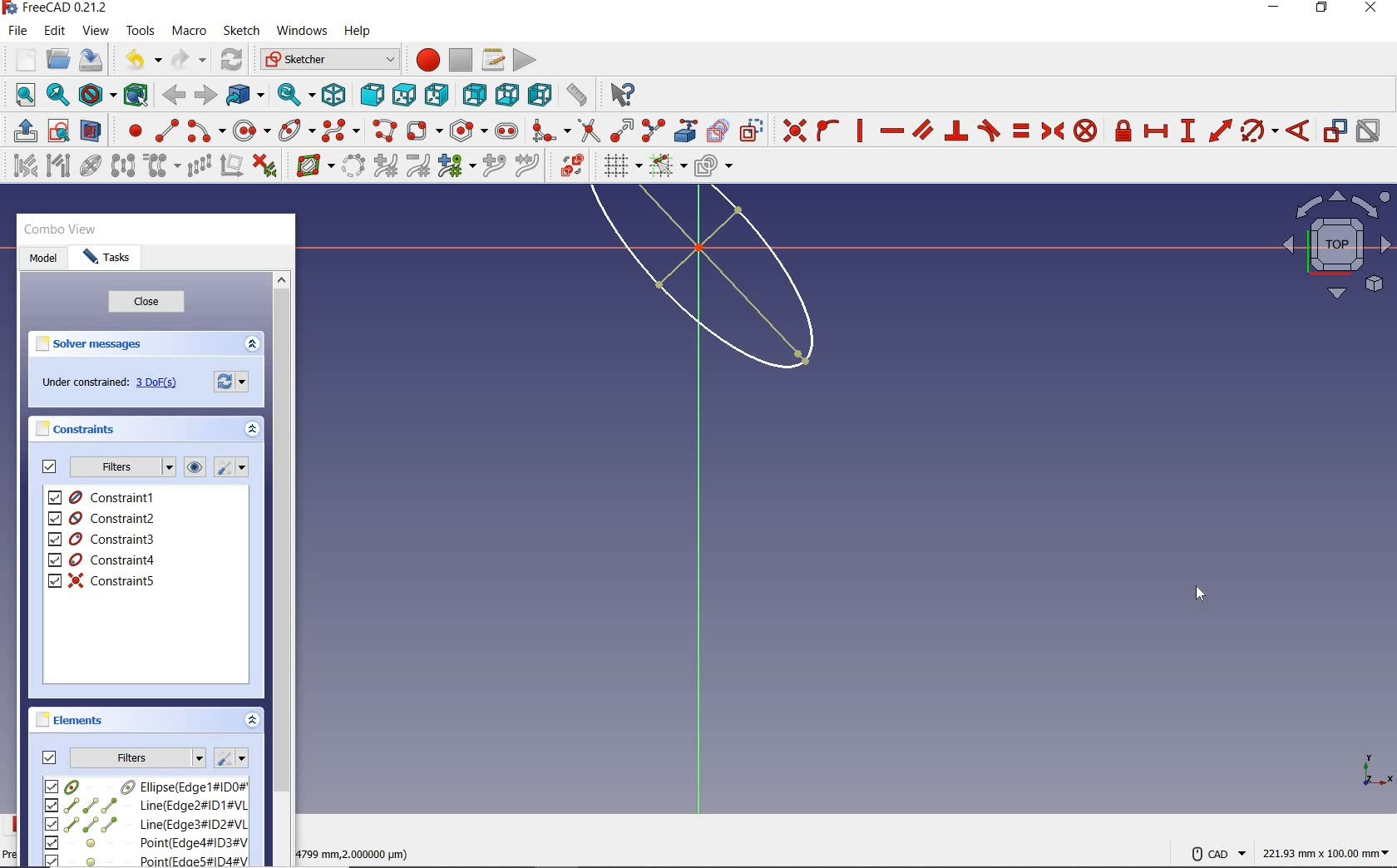 The image size is (1397, 868). Describe the element at coordinates (253, 722) in the screenshot. I see `collapse` at that location.